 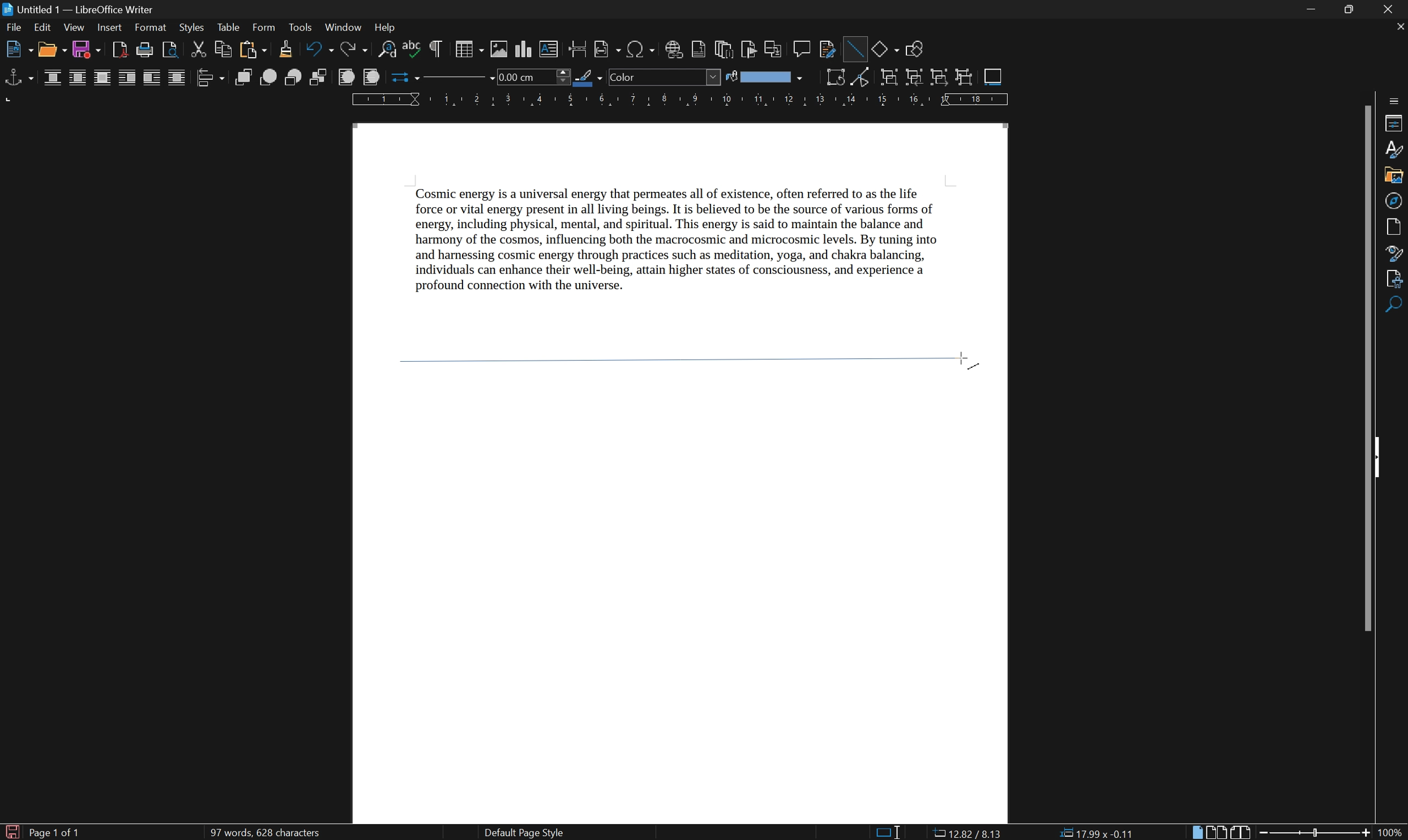 What do you see at coordinates (118, 50) in the screenshot?
I see `export directly as PDF` at bounding box center [118, 50].